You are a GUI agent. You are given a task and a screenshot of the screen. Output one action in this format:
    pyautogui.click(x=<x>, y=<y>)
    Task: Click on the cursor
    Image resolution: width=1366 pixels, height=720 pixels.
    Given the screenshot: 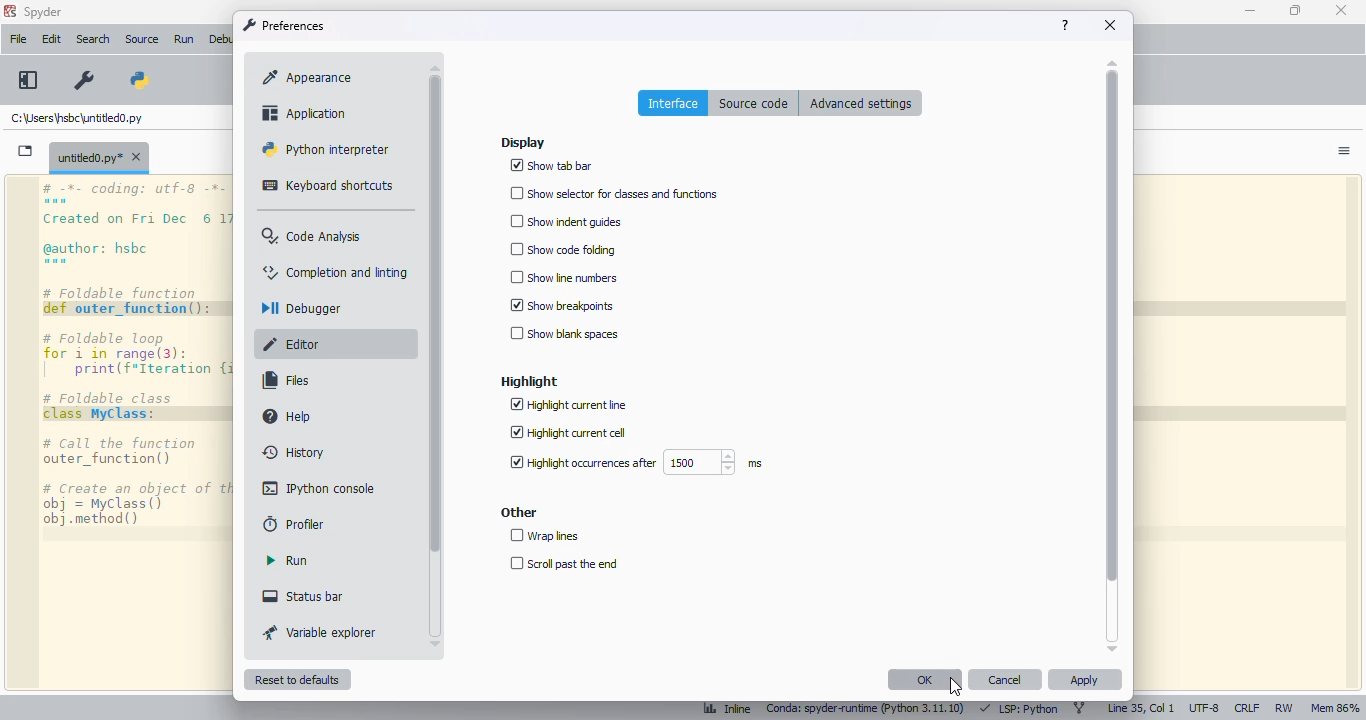 What is the action you would take?
    pyautogui.click(x=955, y=687)
    